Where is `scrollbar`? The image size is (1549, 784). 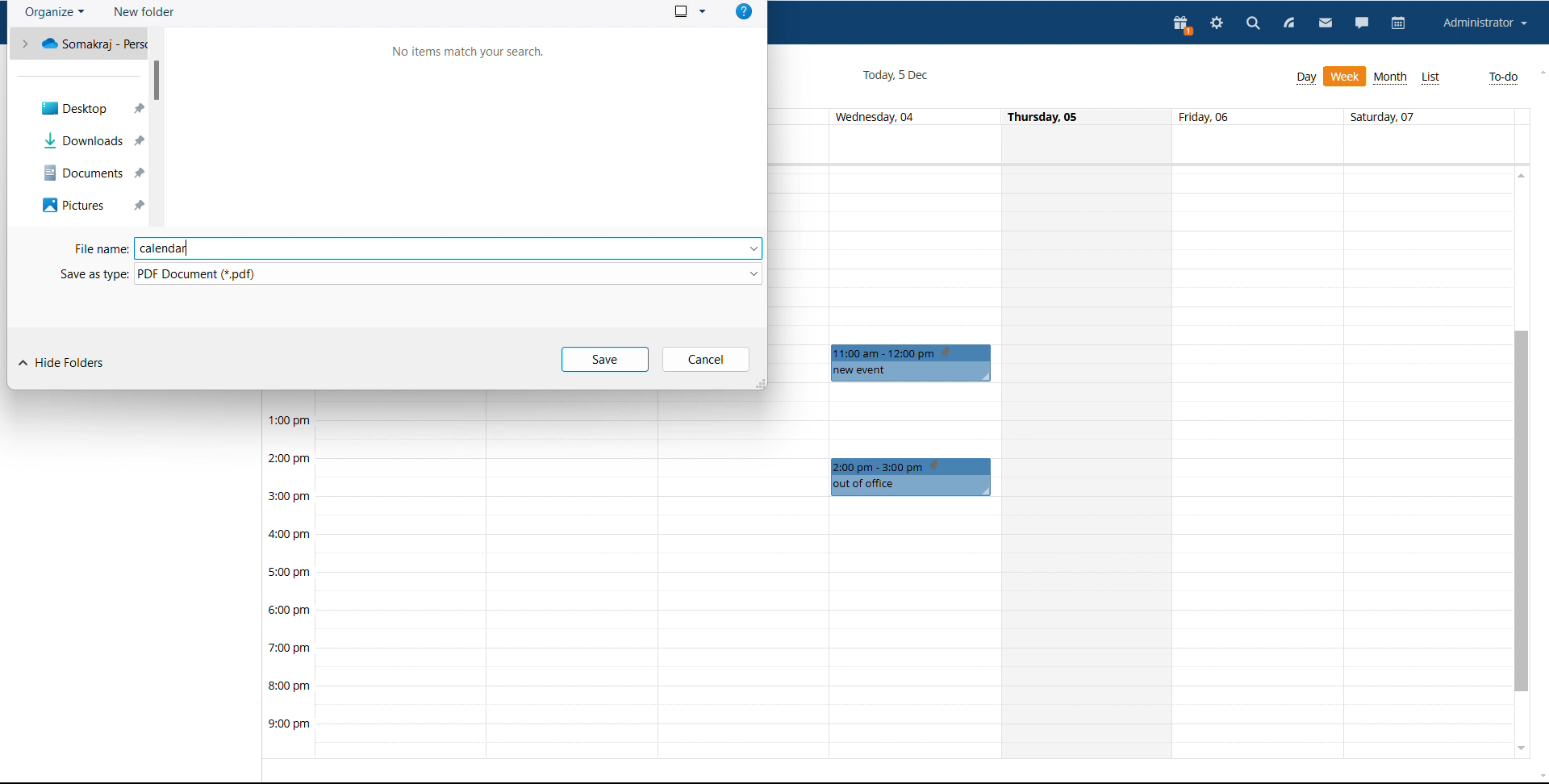
scrollbar is located at coordinates (157, 80).